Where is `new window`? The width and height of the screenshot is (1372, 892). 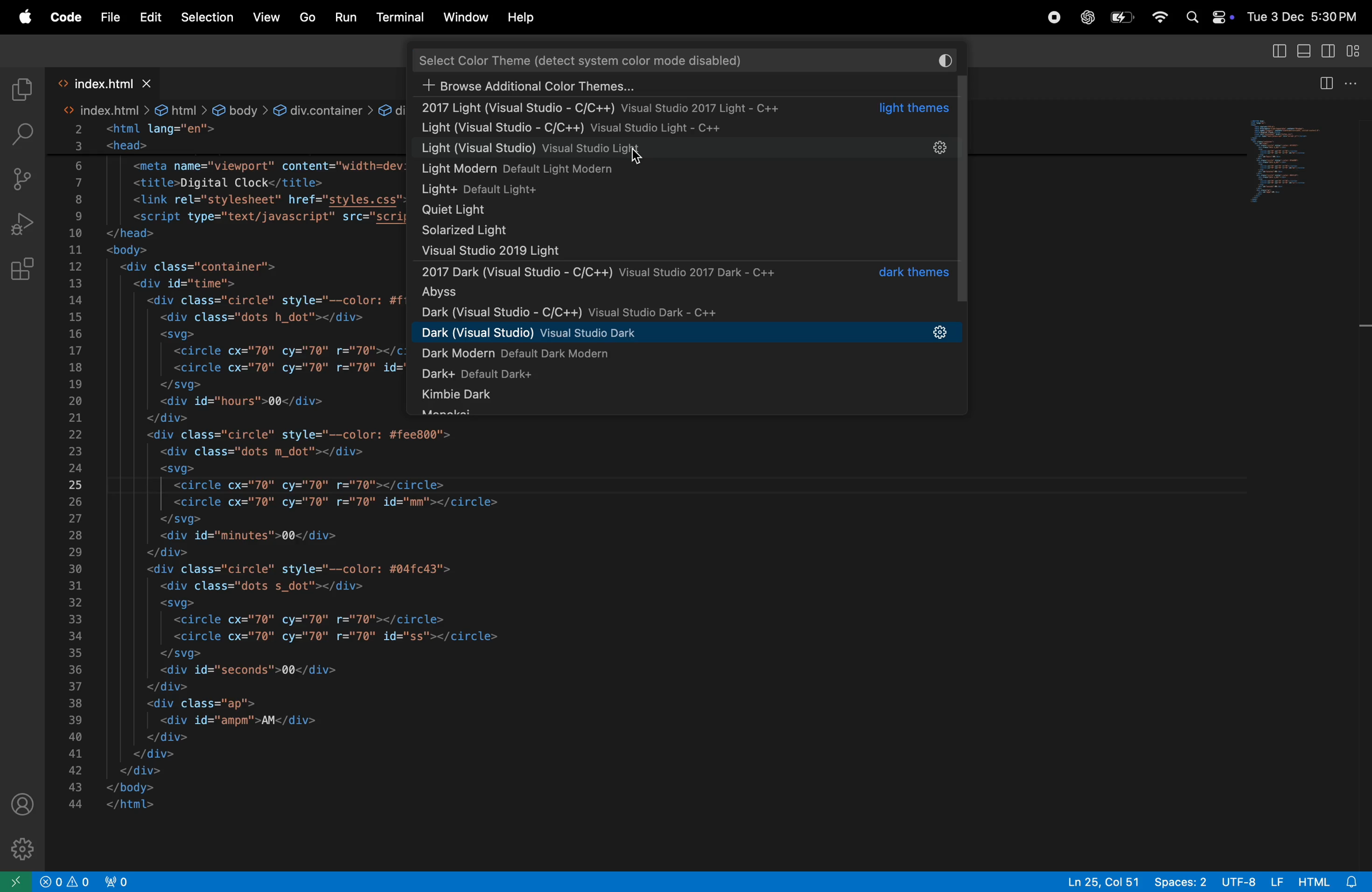
new window is located at coordinates (14, 881).